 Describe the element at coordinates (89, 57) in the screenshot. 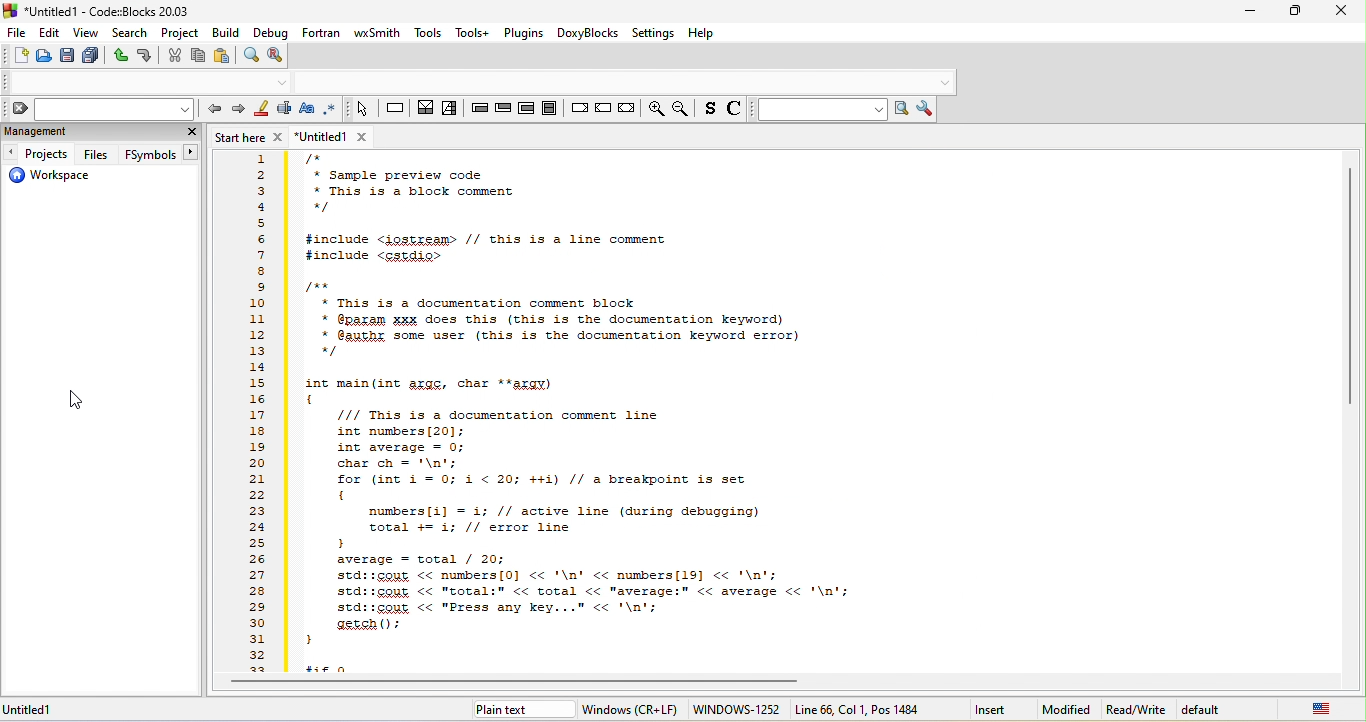

I see `save everything` at that location.